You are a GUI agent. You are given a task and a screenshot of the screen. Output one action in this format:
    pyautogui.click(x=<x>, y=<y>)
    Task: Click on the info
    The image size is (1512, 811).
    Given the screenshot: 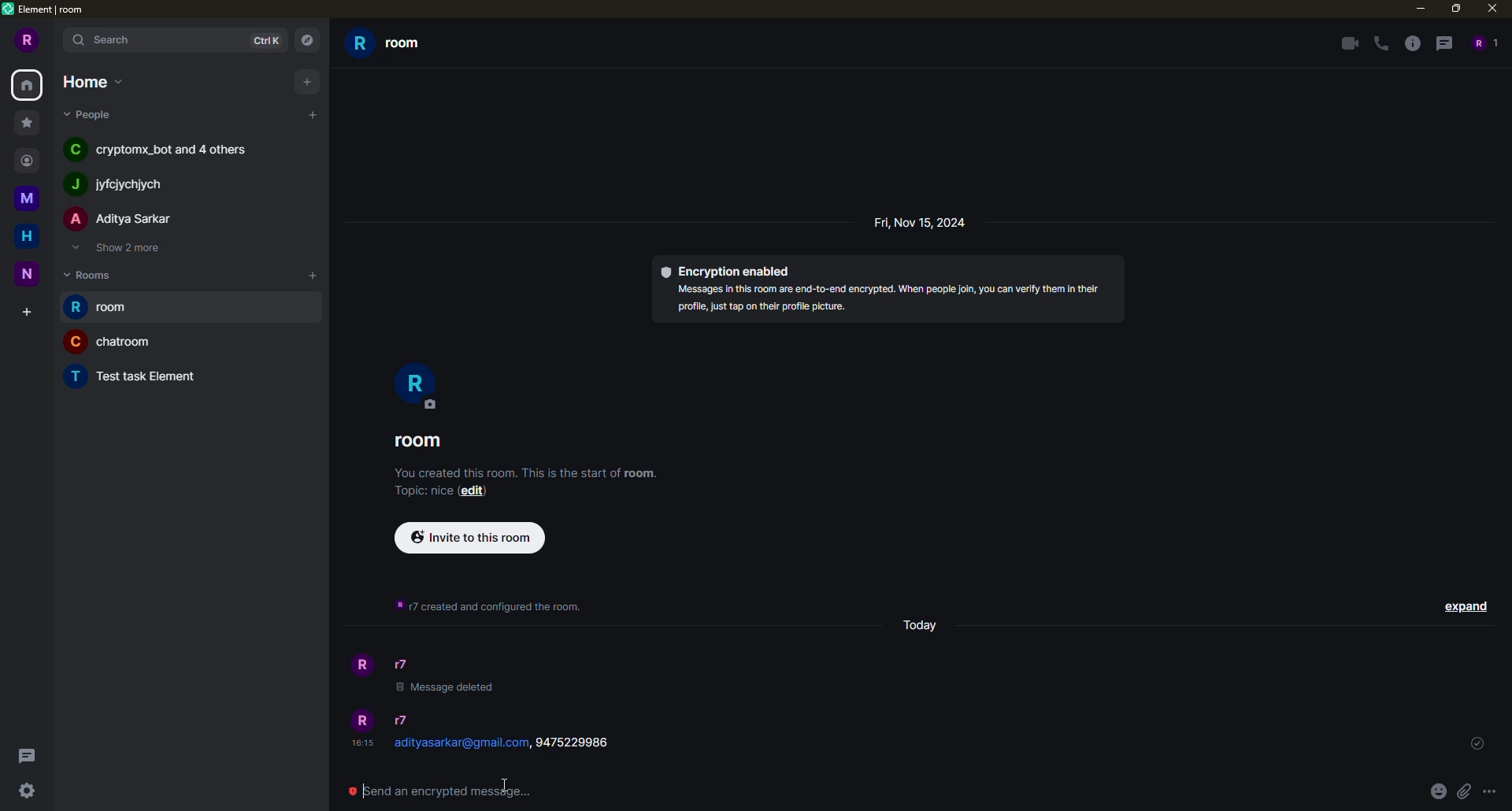 What is the action you would take?
    pyautogui.click(x=1410, y=43)
    